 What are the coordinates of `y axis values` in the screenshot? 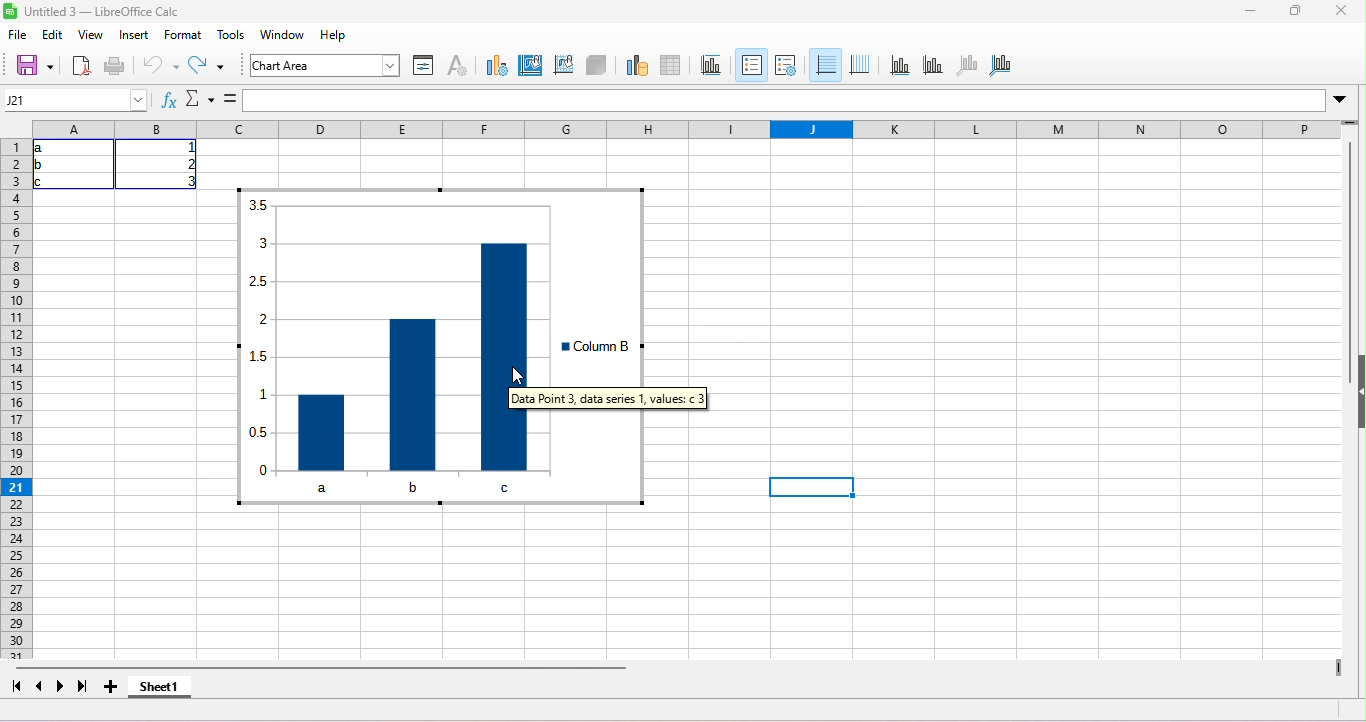 It's located at (259, 338).